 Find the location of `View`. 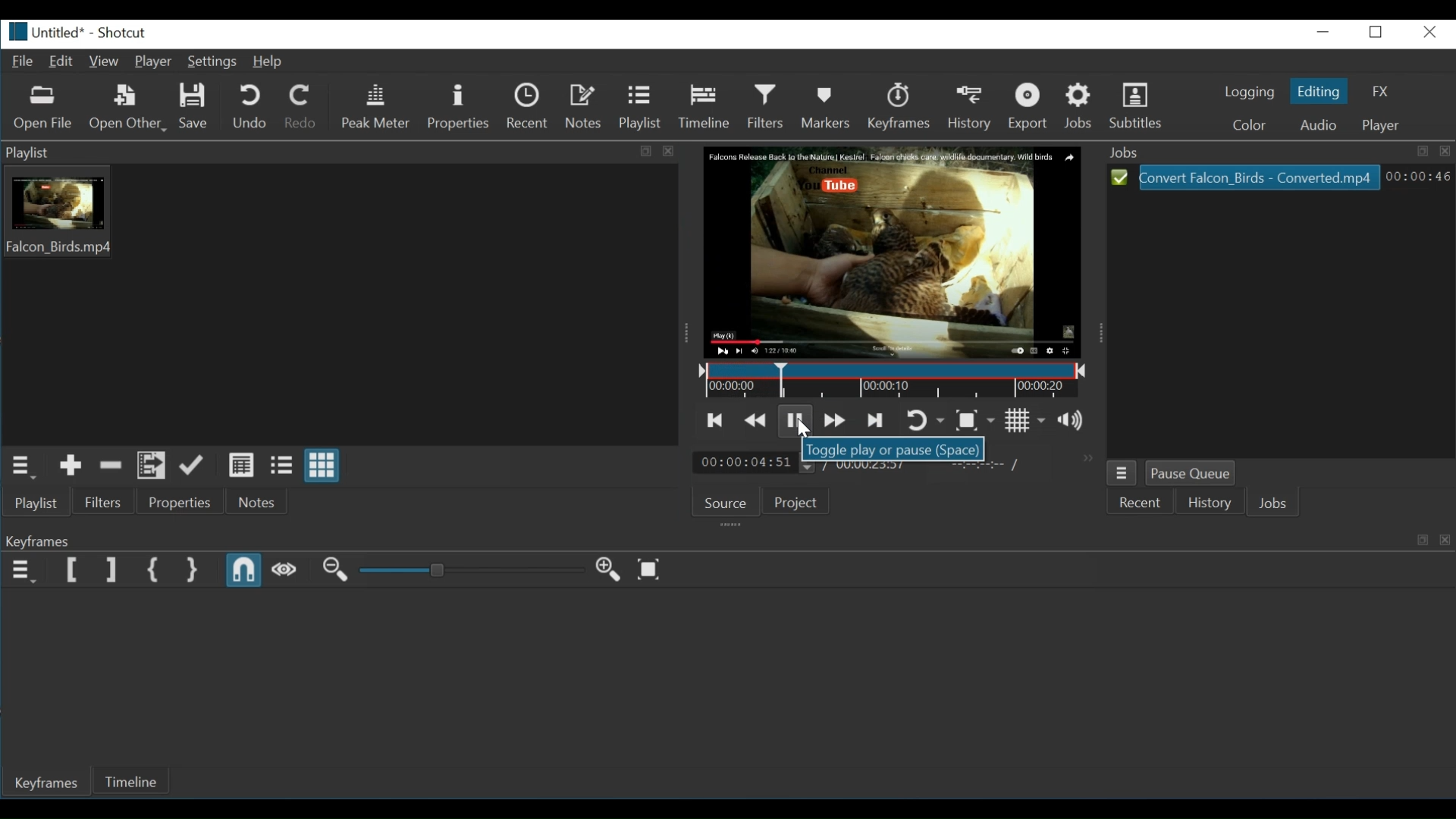

View is located at coordinates (102, 61).